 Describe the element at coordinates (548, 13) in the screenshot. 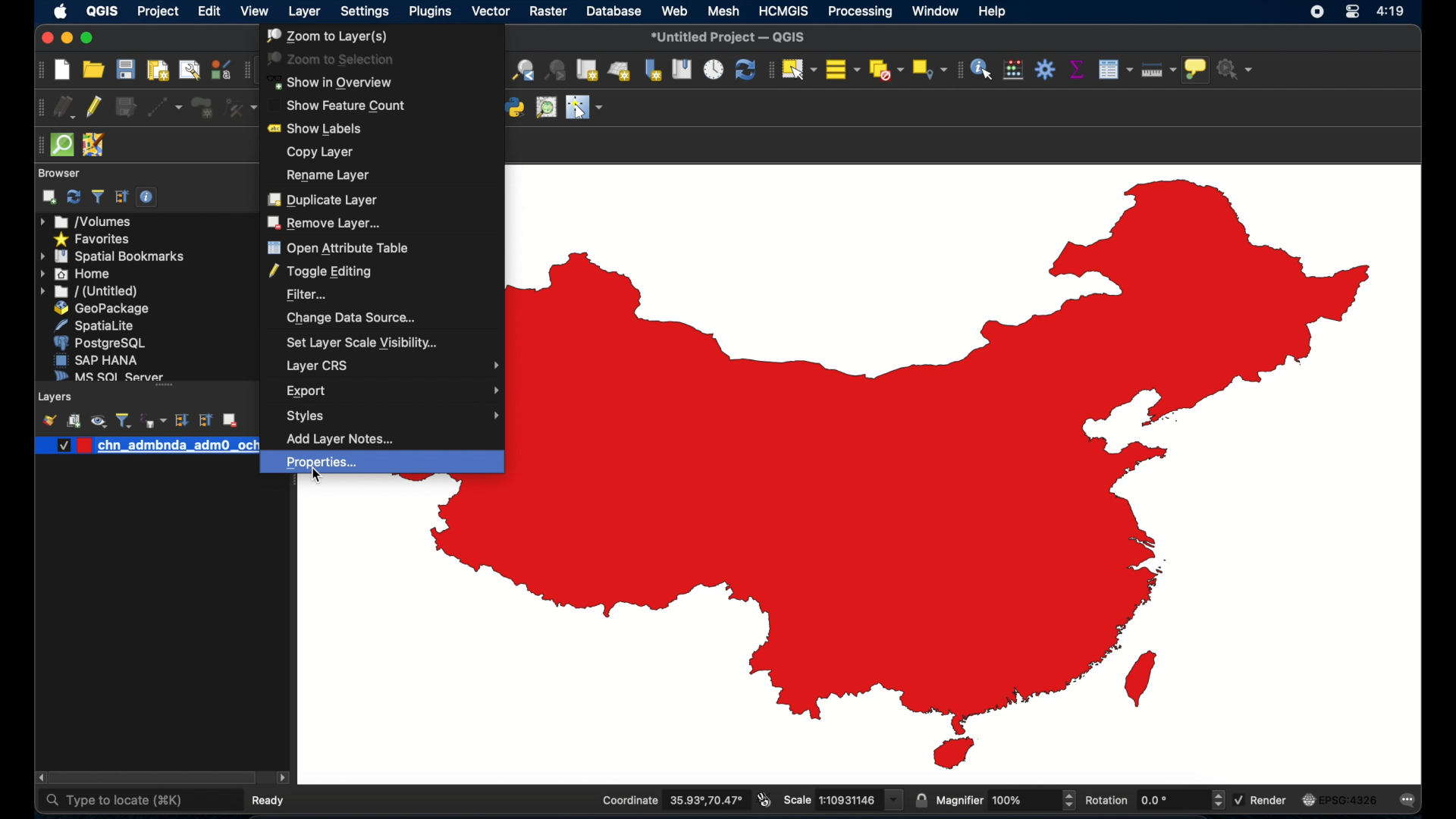

I see `raster` at that location.